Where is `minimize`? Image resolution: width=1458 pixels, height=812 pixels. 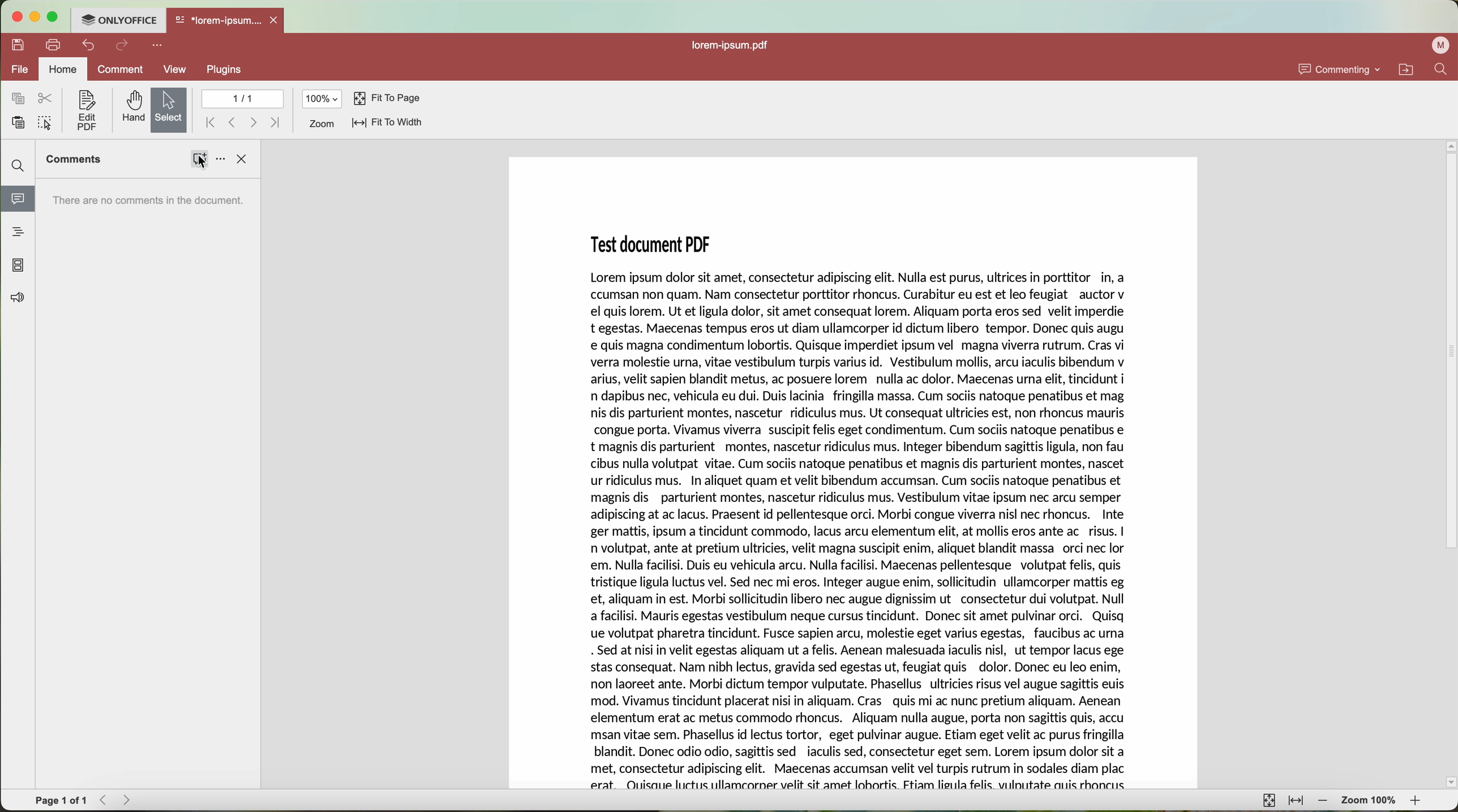 minimize is located at coordinates (33, 18).